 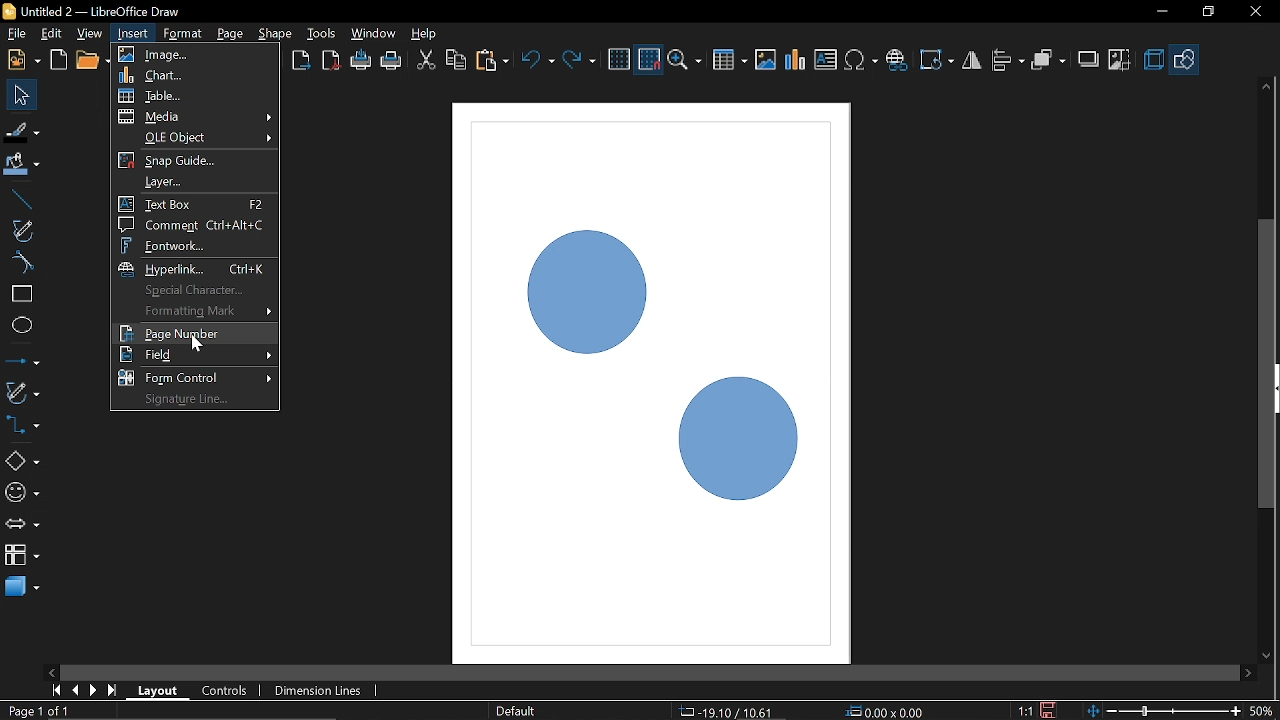 What do you see at coordinates (196, 162) in the screenshot?
I see `Snap grid` at bounding box center [196, 162].